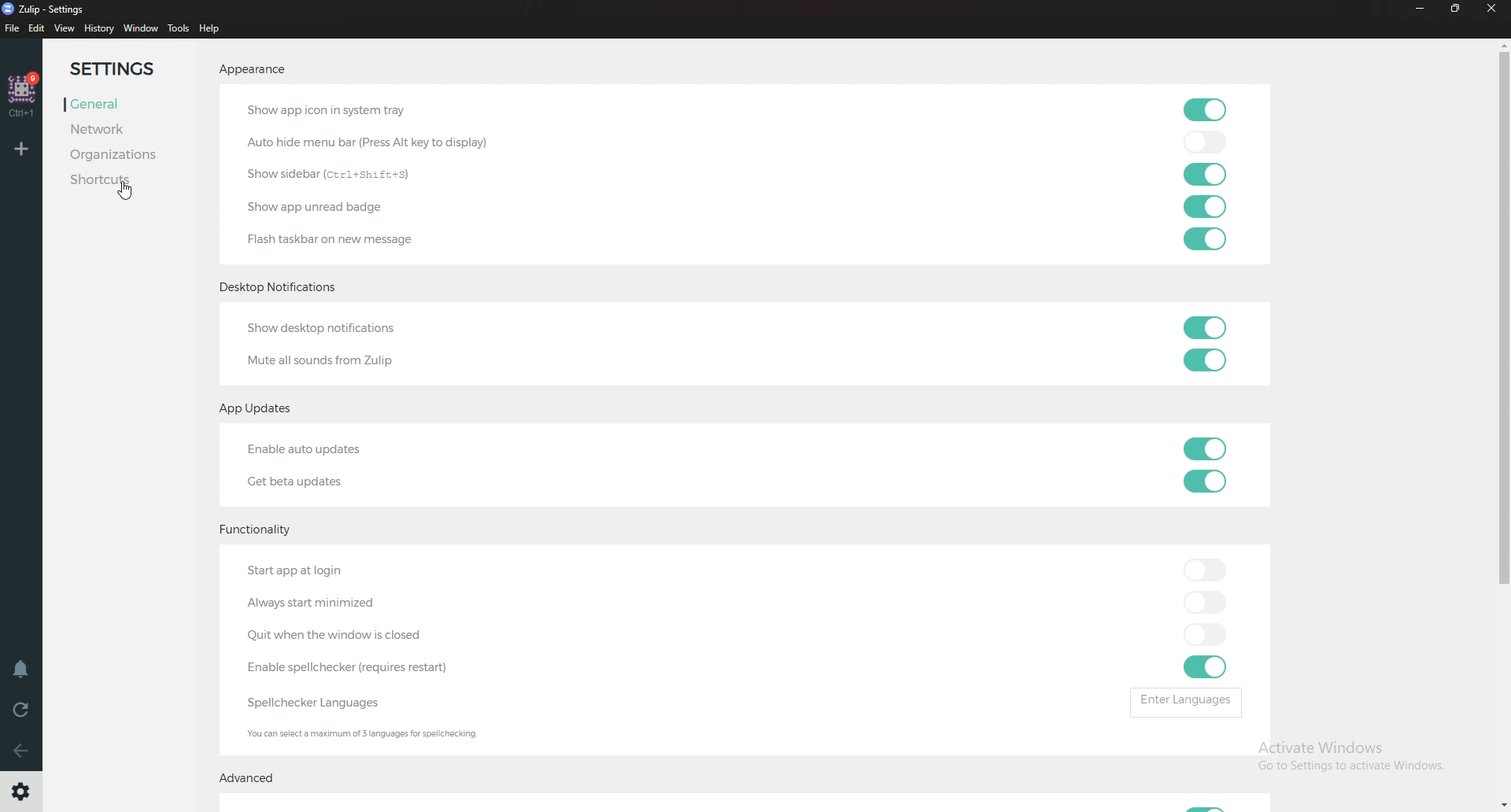 Image resolution: width=1511 pixels, height=812 pixels. Describe the element at coordinates (323, 363) in the screenshot. I see `Mute all sounds from Zulip` at that location.